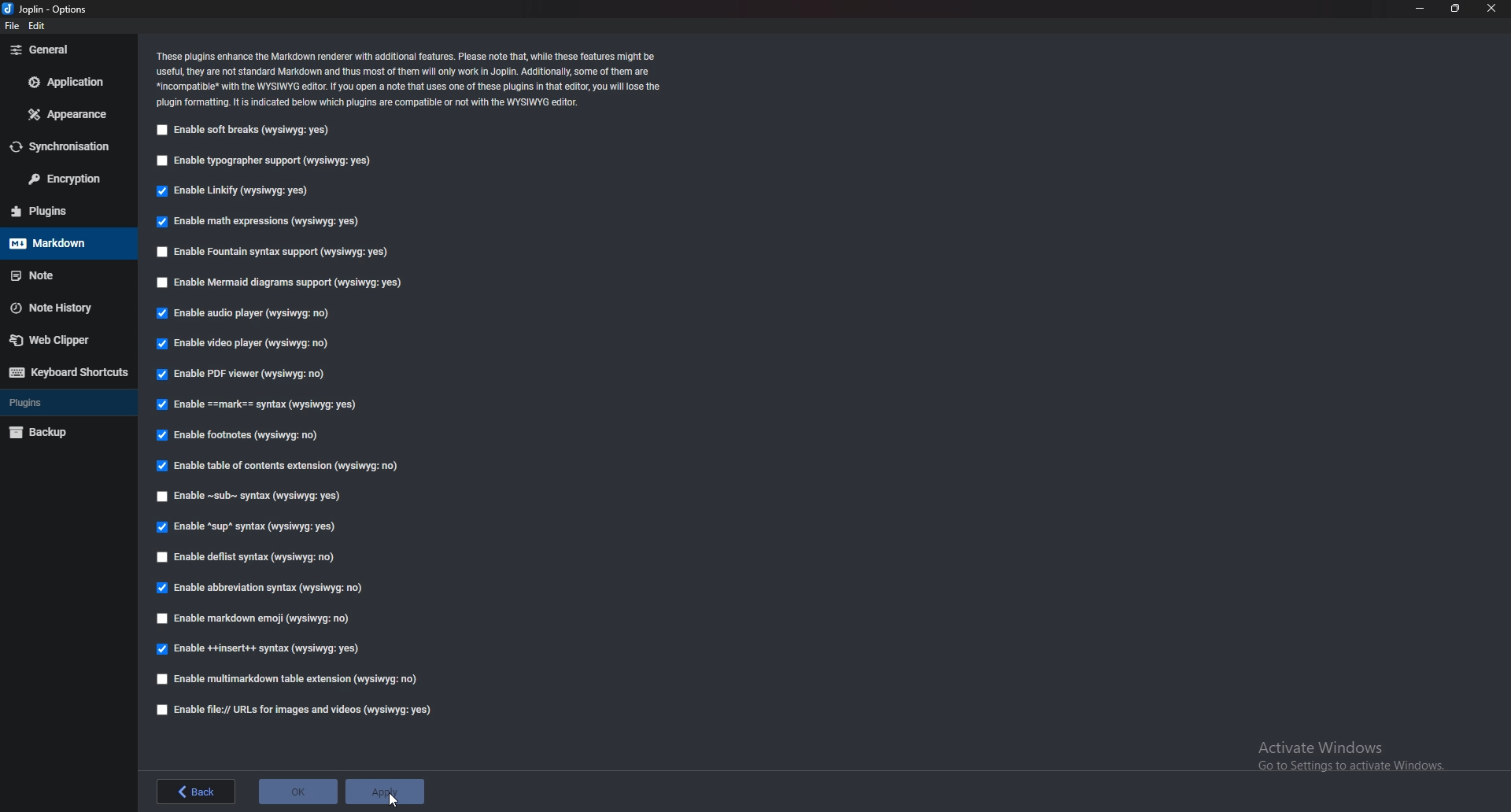 This screenshot has height=812, width=1511. What do you see at coordinates (1457, 8) in the screenshot?
I see `resize` at bounding box center [1457, 8].